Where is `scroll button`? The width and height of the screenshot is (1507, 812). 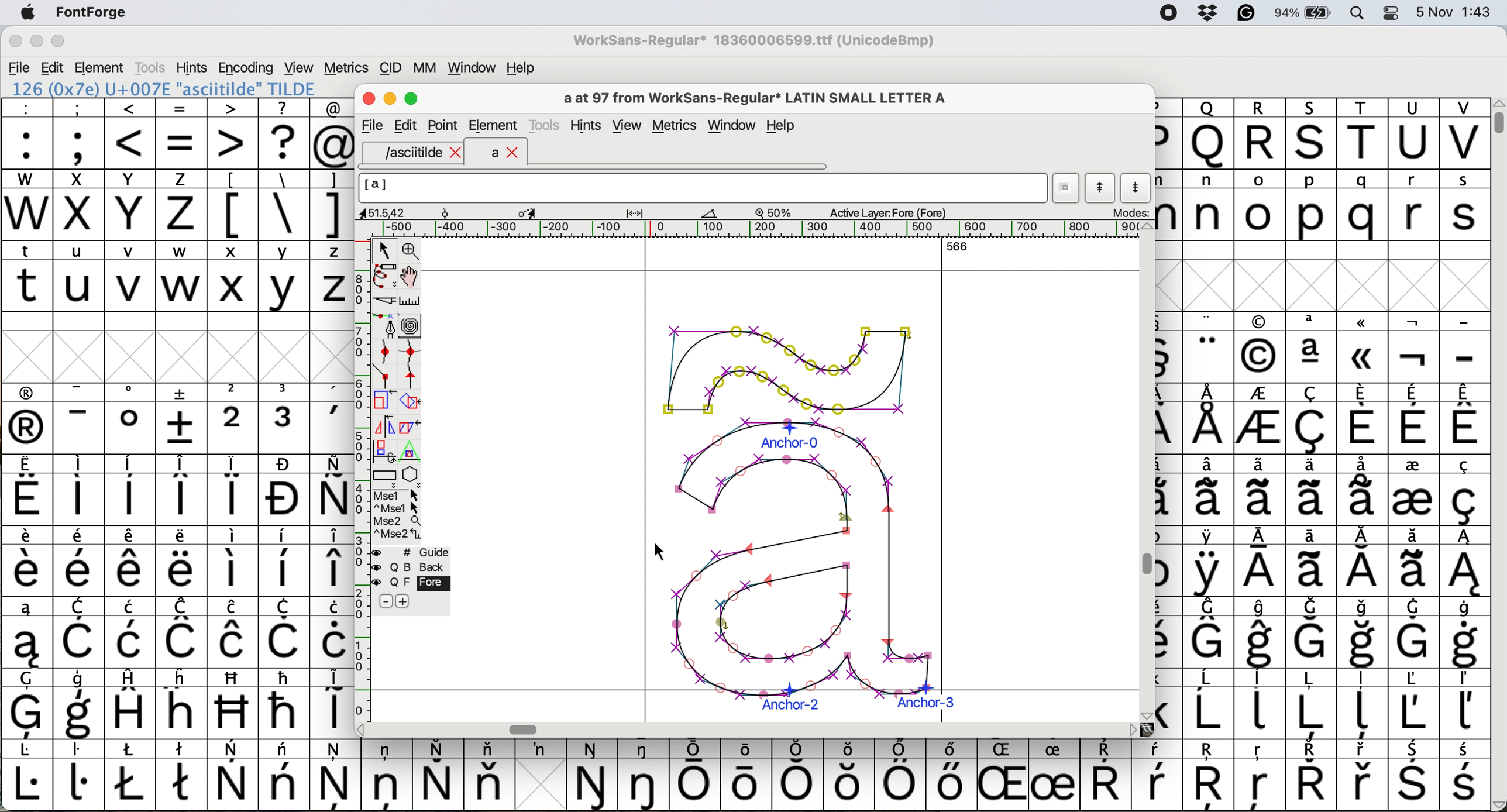
scroll button is located at coordinates (1497, 804).